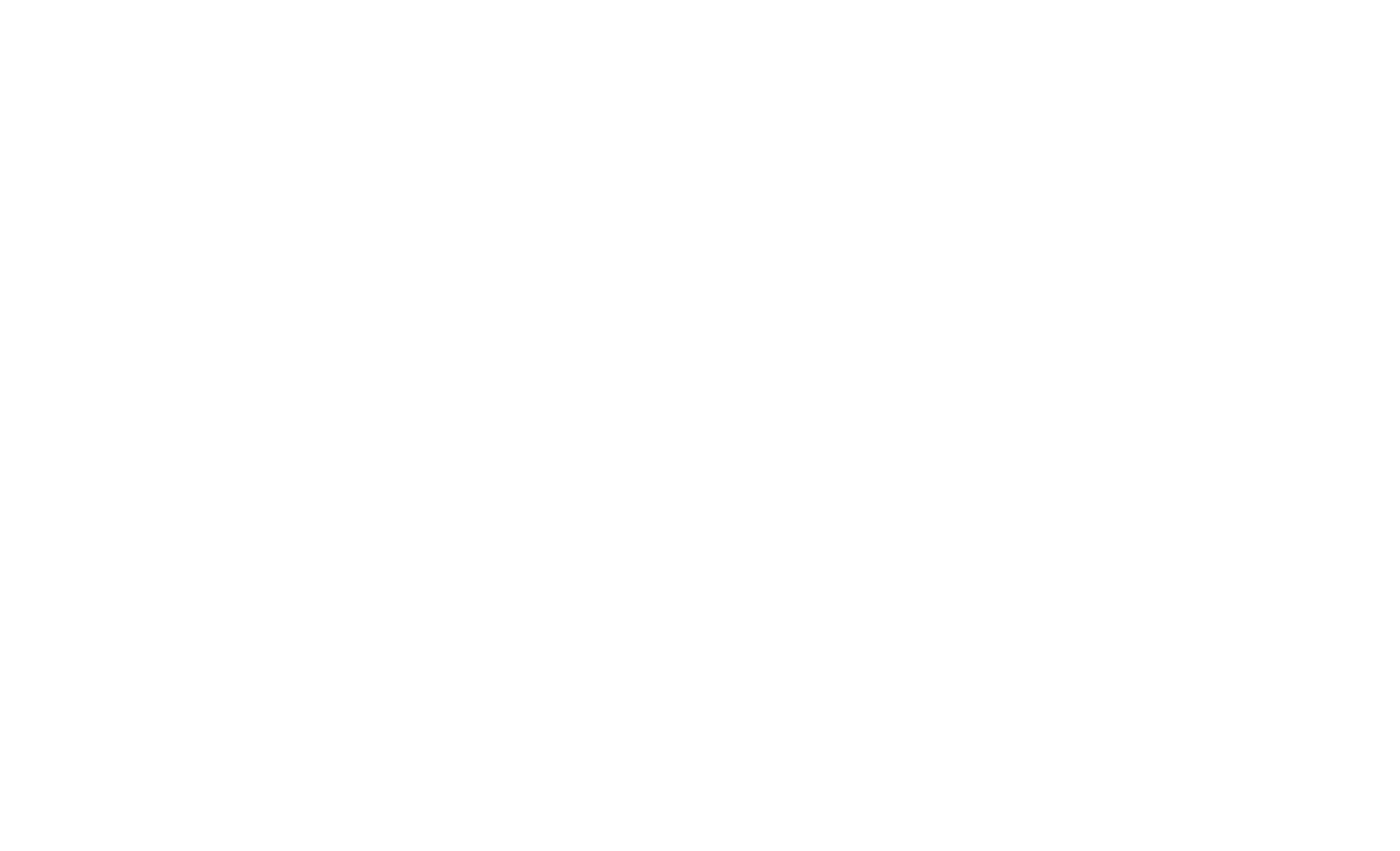  What do you see at coordinates (451, 804) in the screenshot?
I see `Down` at bounding box center [451, 804].